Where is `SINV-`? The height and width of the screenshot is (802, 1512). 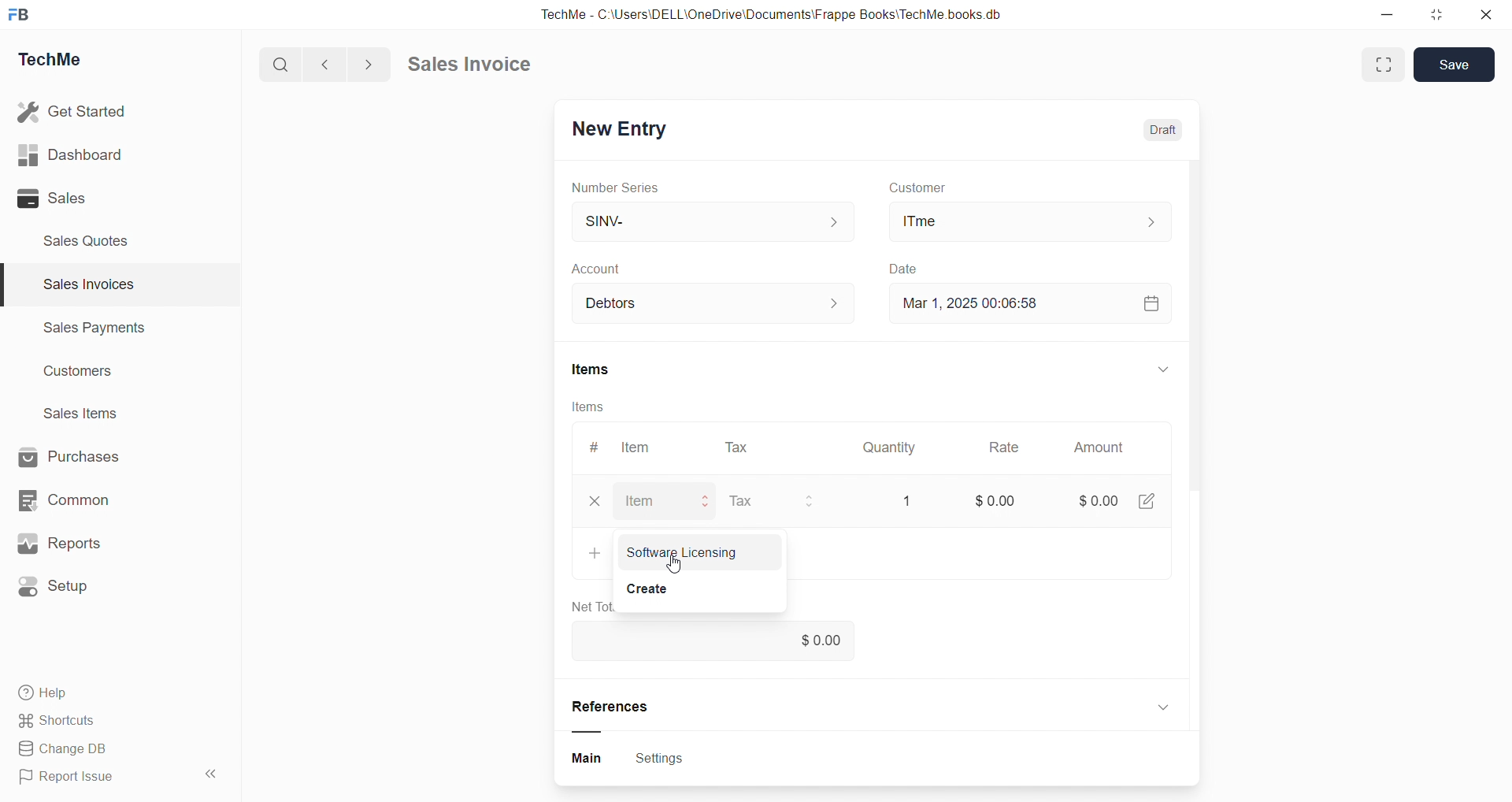 SINV- is located at coordinates (694, 221).